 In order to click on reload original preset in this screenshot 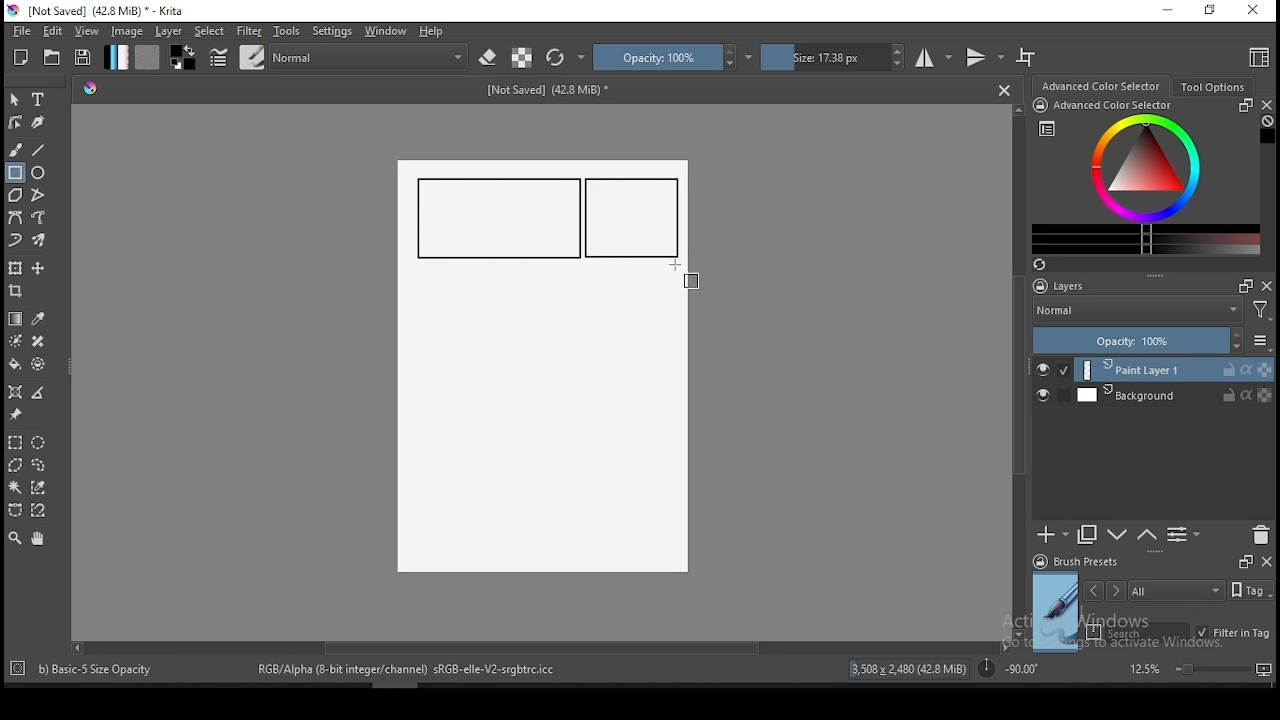, I will do `click(566, 57)`.